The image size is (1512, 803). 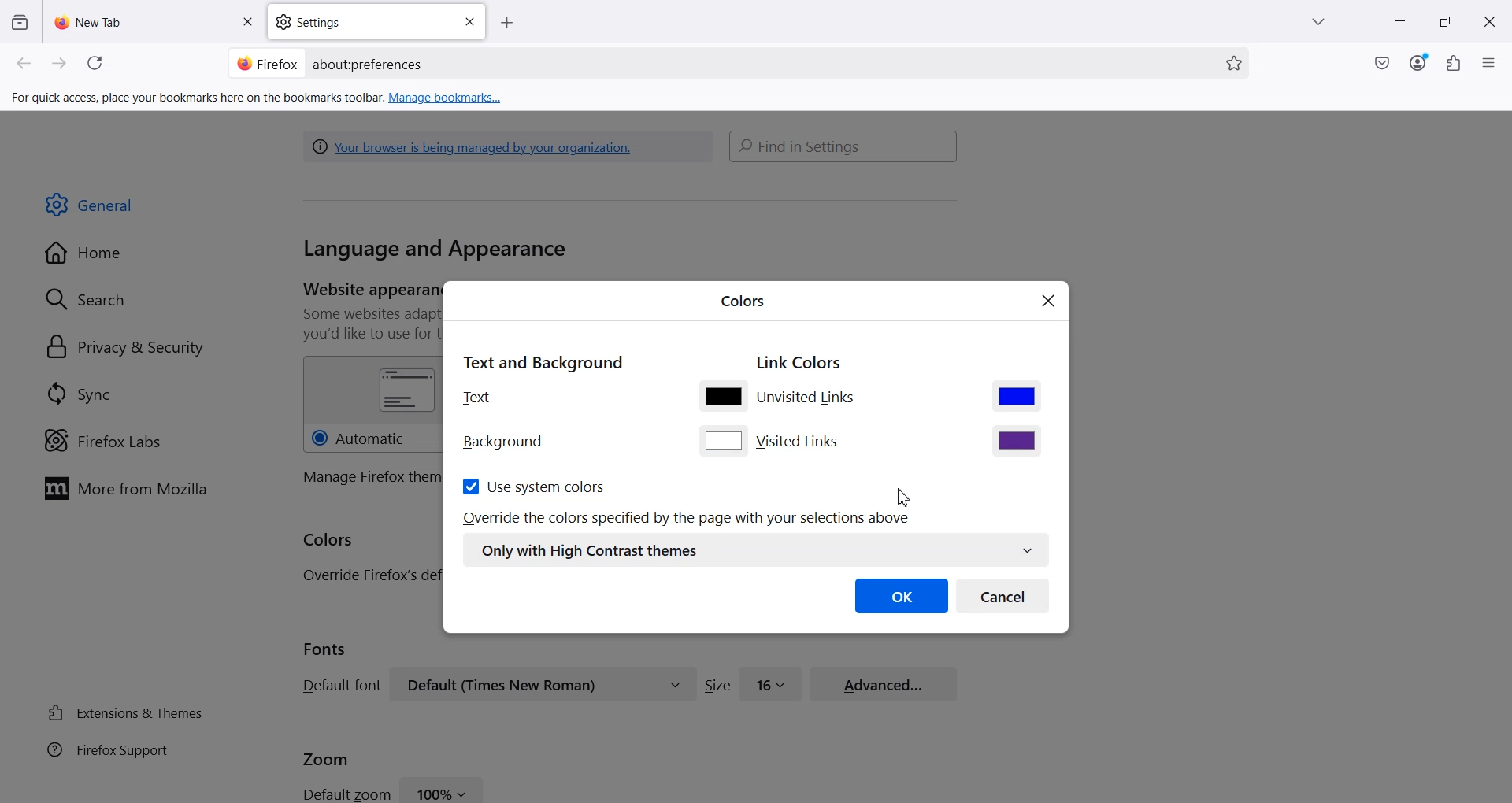 I want to click on Forward, so click(x=60, y=64).